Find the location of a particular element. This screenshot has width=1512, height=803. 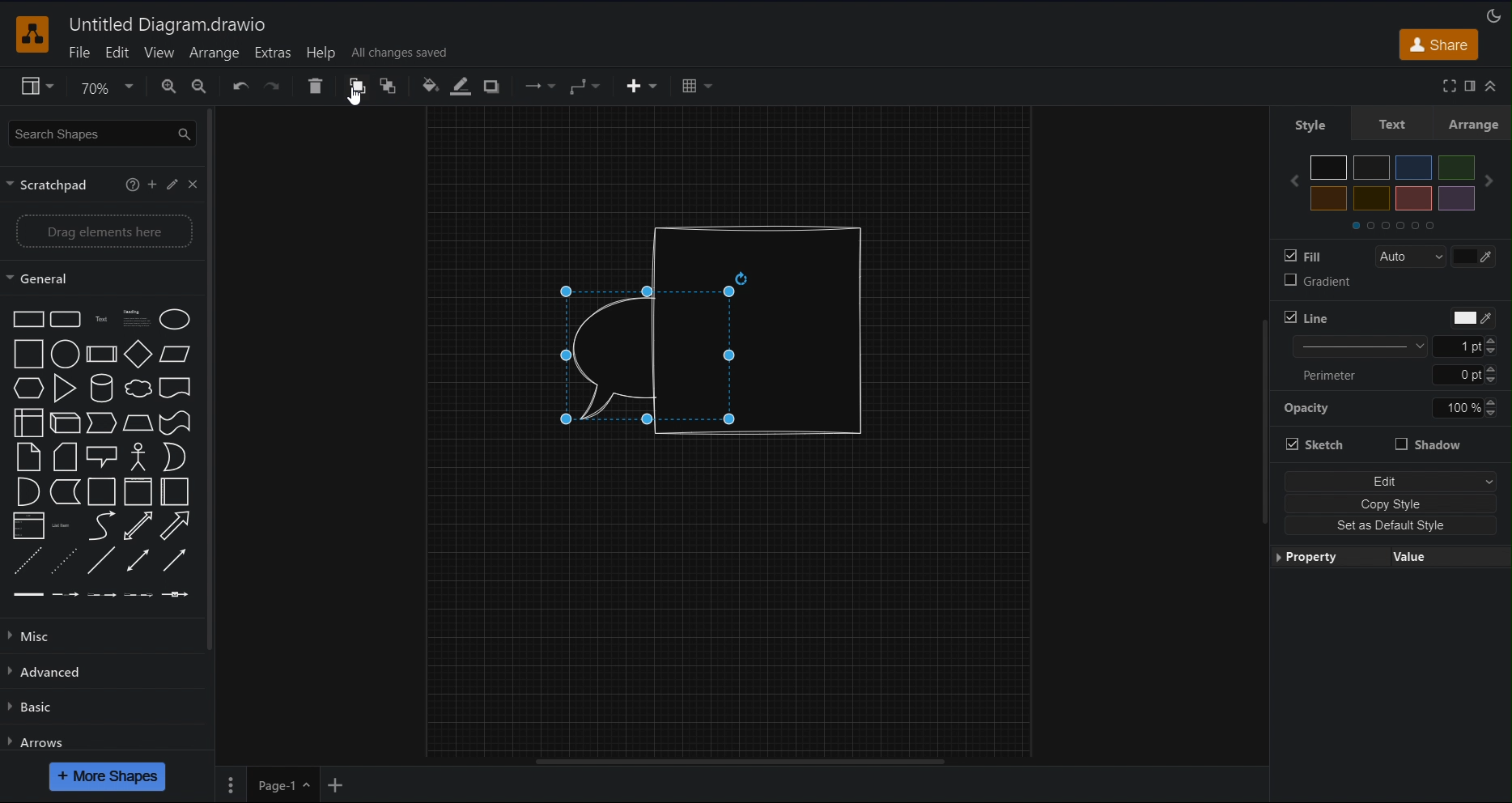

View is located at coordinates (160, 53).